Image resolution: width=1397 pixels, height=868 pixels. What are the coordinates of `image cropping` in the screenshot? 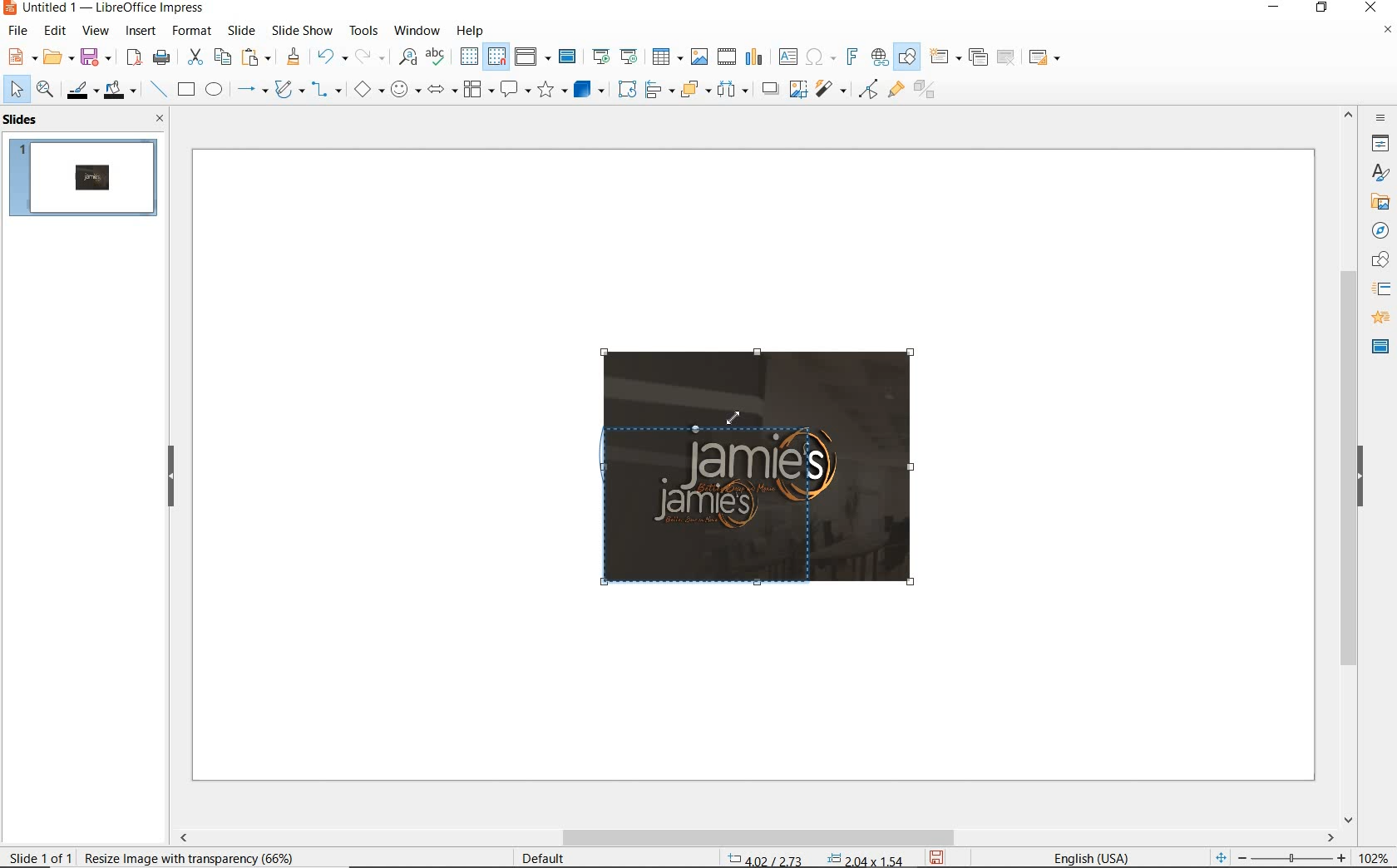 It's located at (715, 501).